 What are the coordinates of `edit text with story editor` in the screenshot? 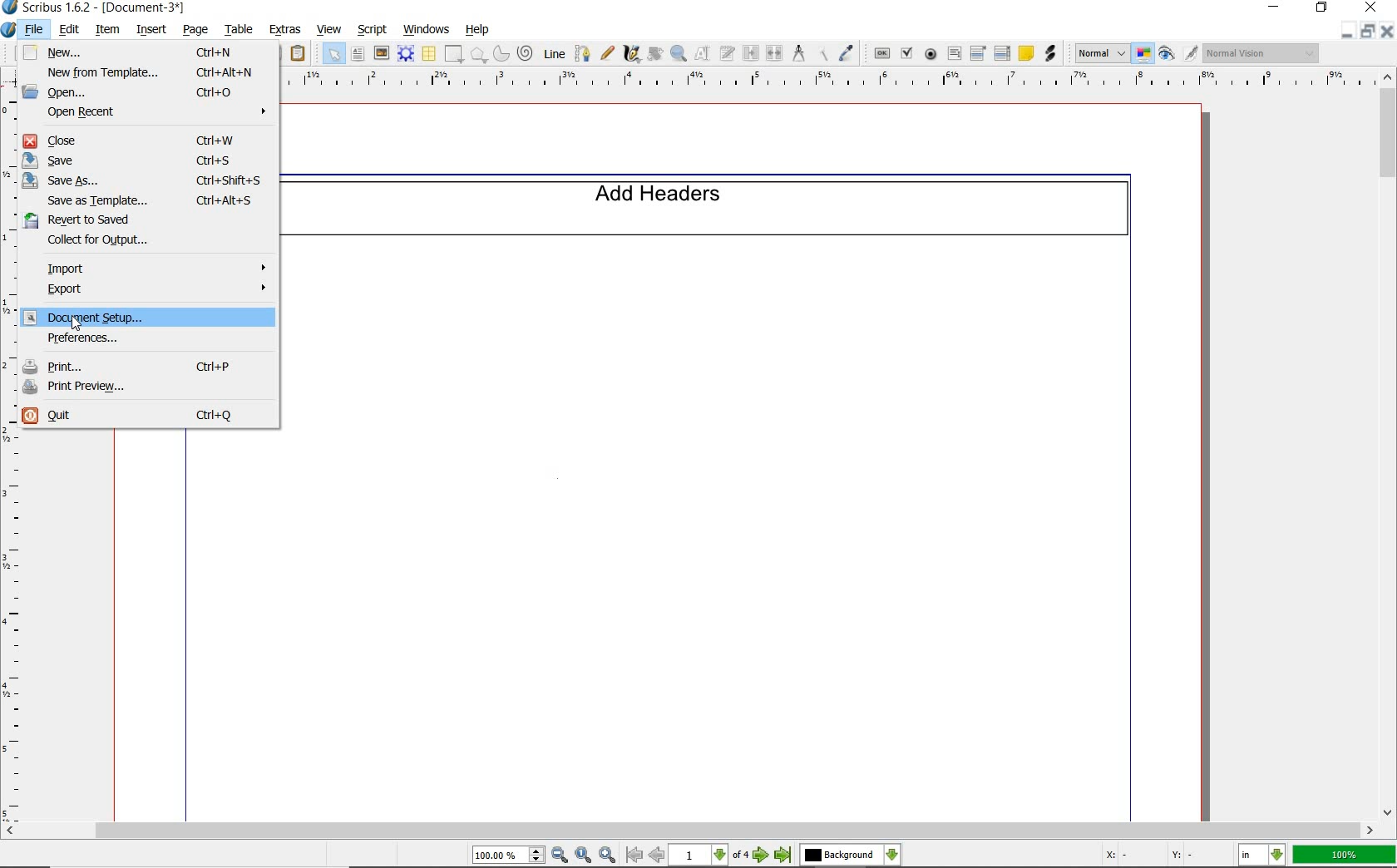 It's located at (726, 52).